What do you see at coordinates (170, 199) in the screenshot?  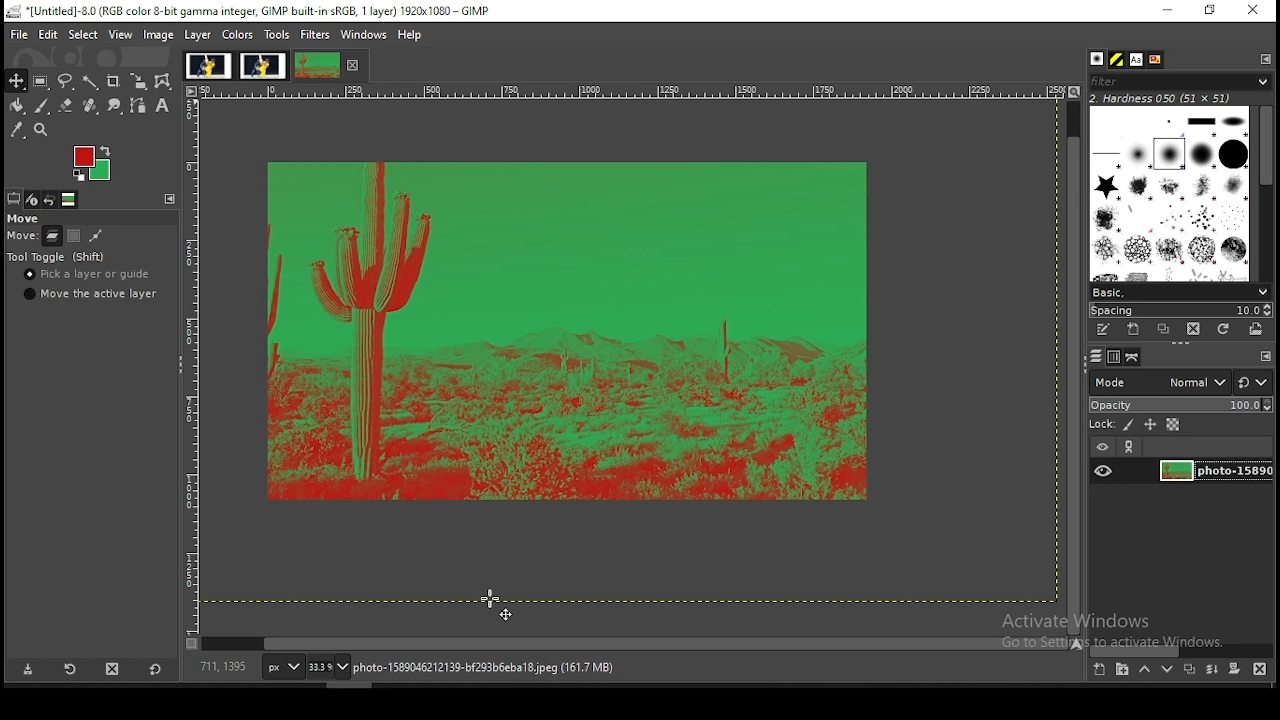 I see `configure this panel` at bounding box center [170, 199].